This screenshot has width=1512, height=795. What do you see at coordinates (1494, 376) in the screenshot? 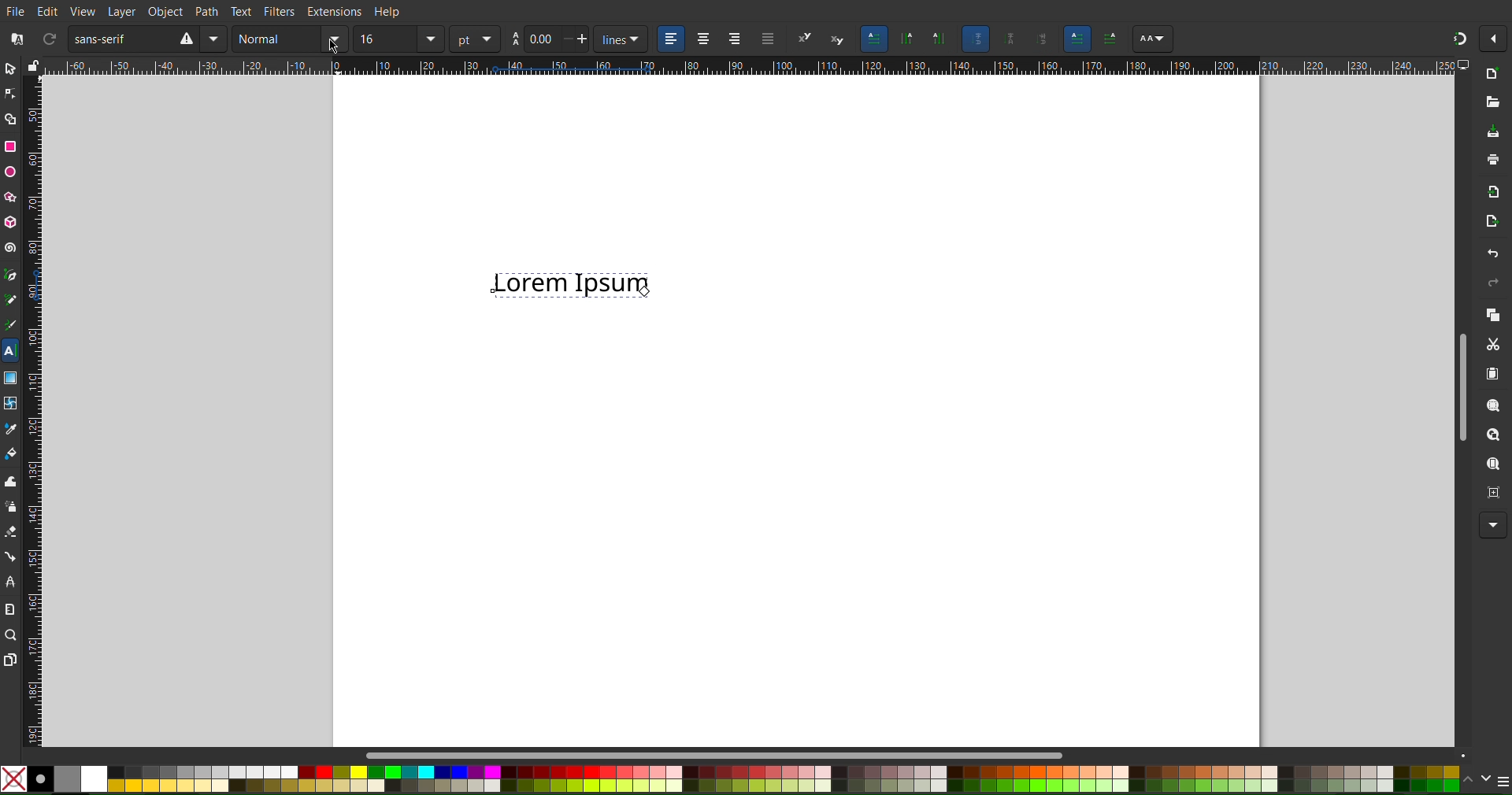
I see `Paste` at bounding box center [1494, 376].